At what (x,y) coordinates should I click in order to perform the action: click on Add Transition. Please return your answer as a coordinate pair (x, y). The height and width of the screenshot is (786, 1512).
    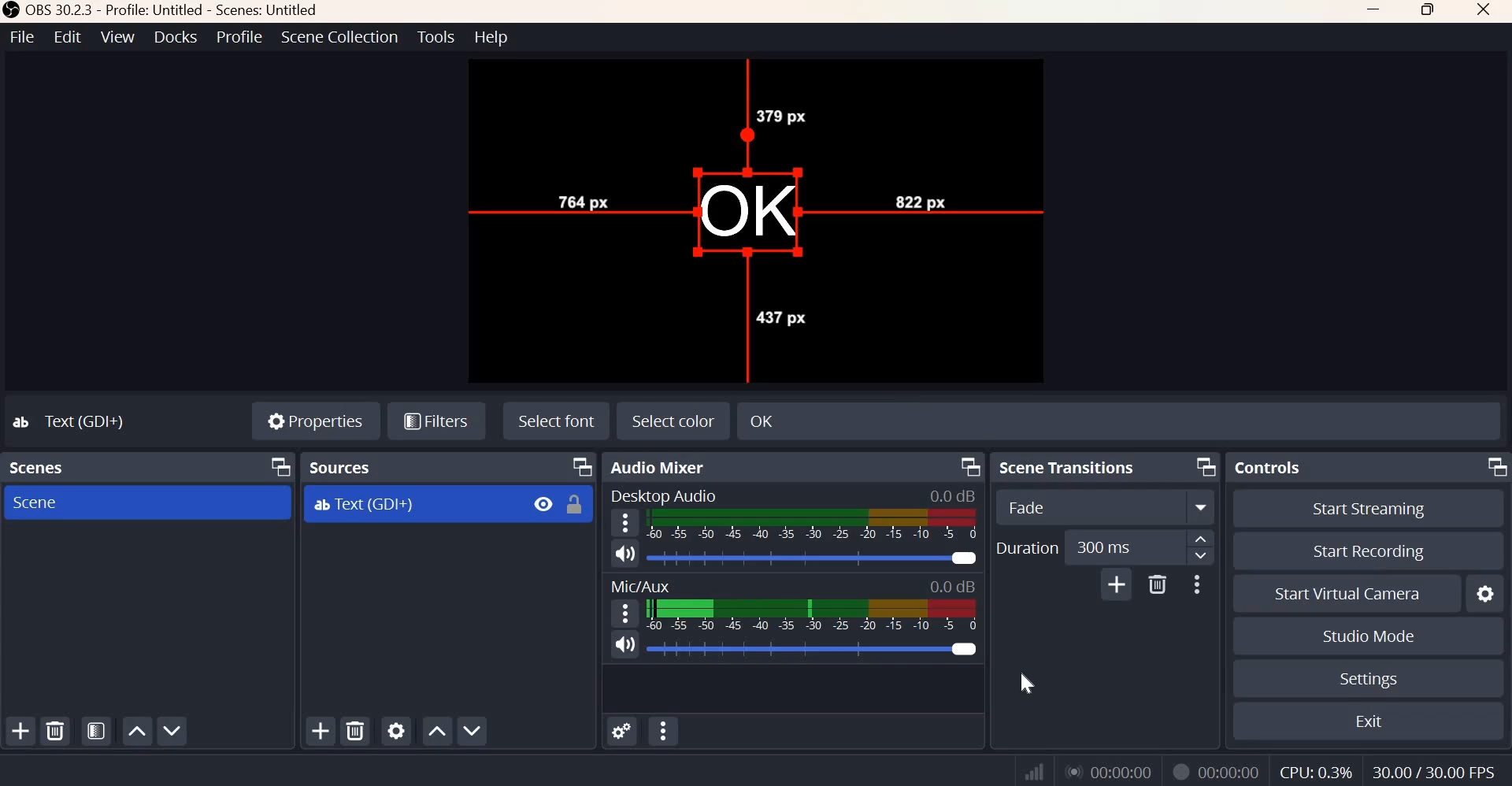
    Looking at the image, I should click on (1117, 584).